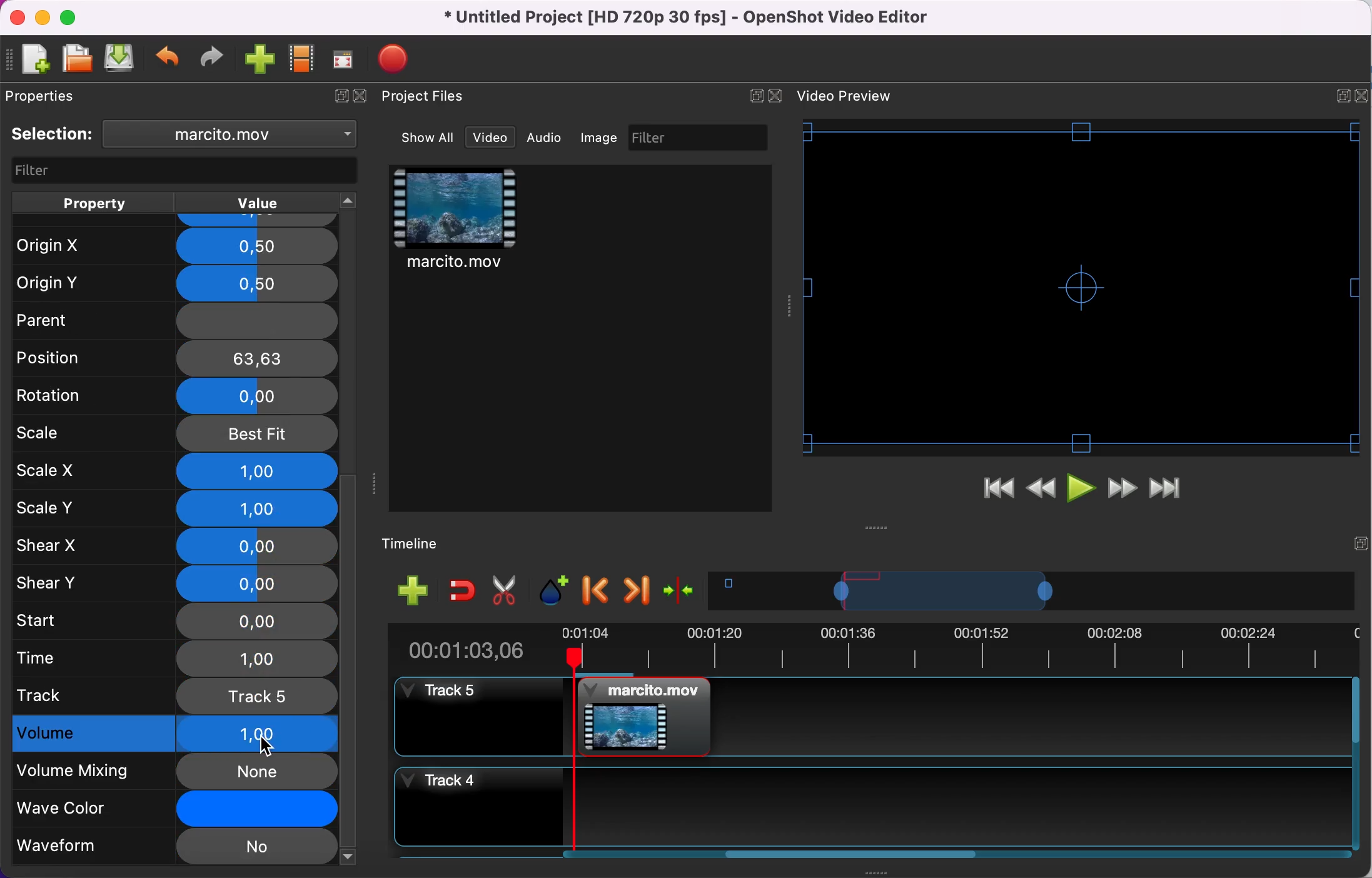 This screenshot has width=1372, height=878. I want to click on track 4, so click(869, 807).